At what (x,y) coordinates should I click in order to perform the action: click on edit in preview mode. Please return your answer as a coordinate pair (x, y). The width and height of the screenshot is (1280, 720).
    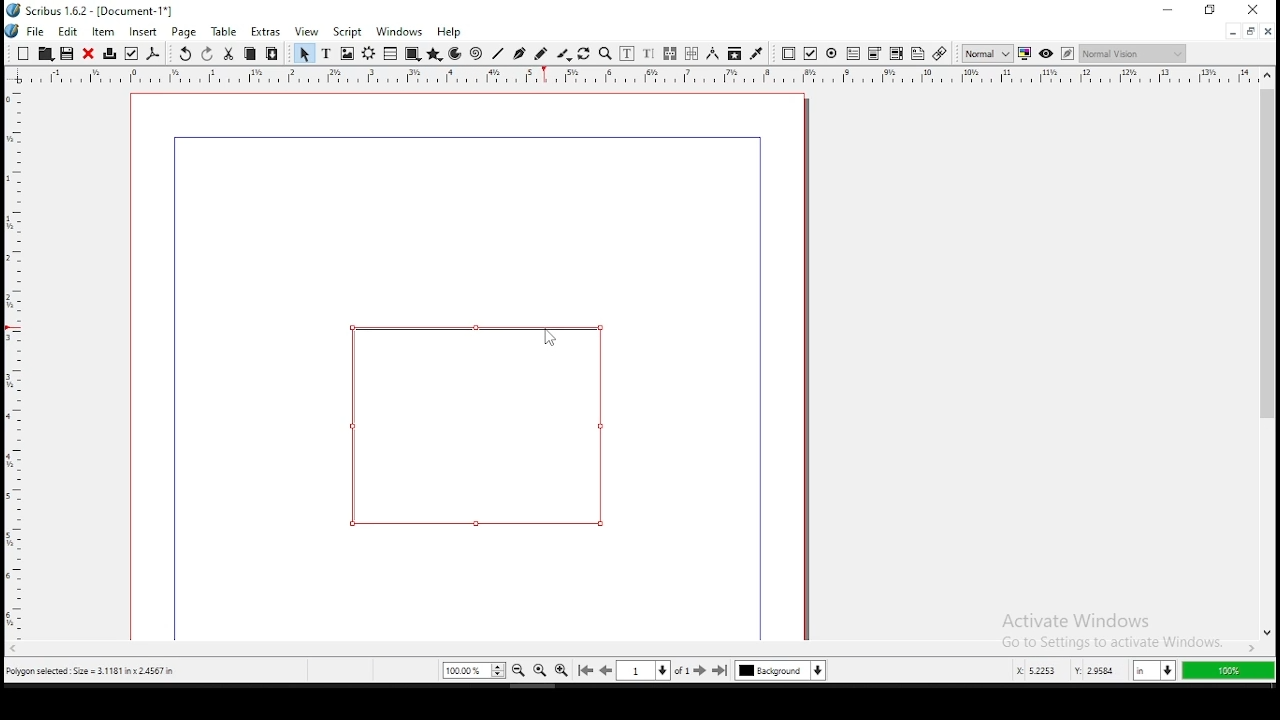
    Looking at the image, I should click on (1067, 53).